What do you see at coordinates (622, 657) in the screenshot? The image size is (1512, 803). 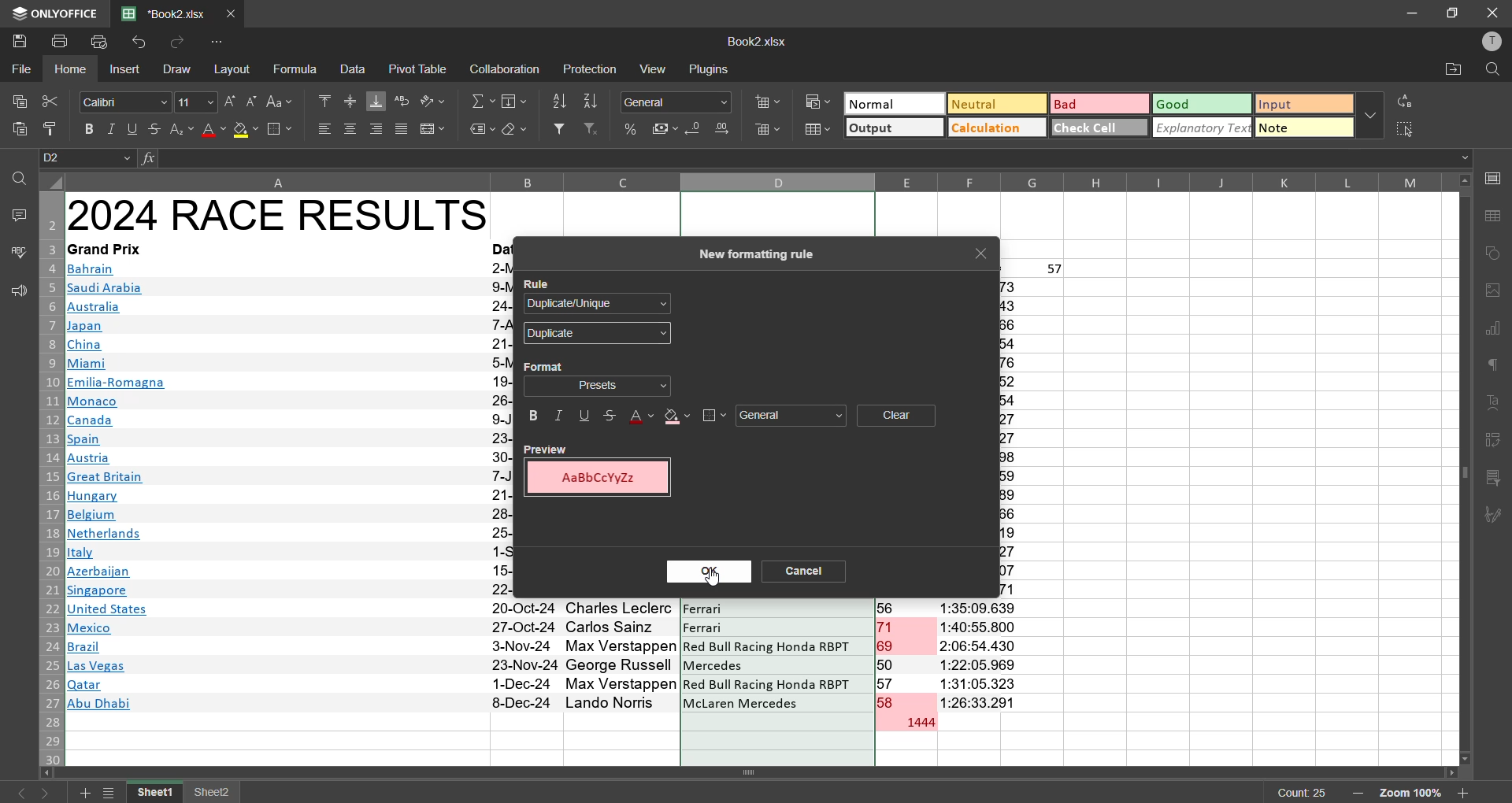 I see `Racer’s name` at bounding box center [622, 657].